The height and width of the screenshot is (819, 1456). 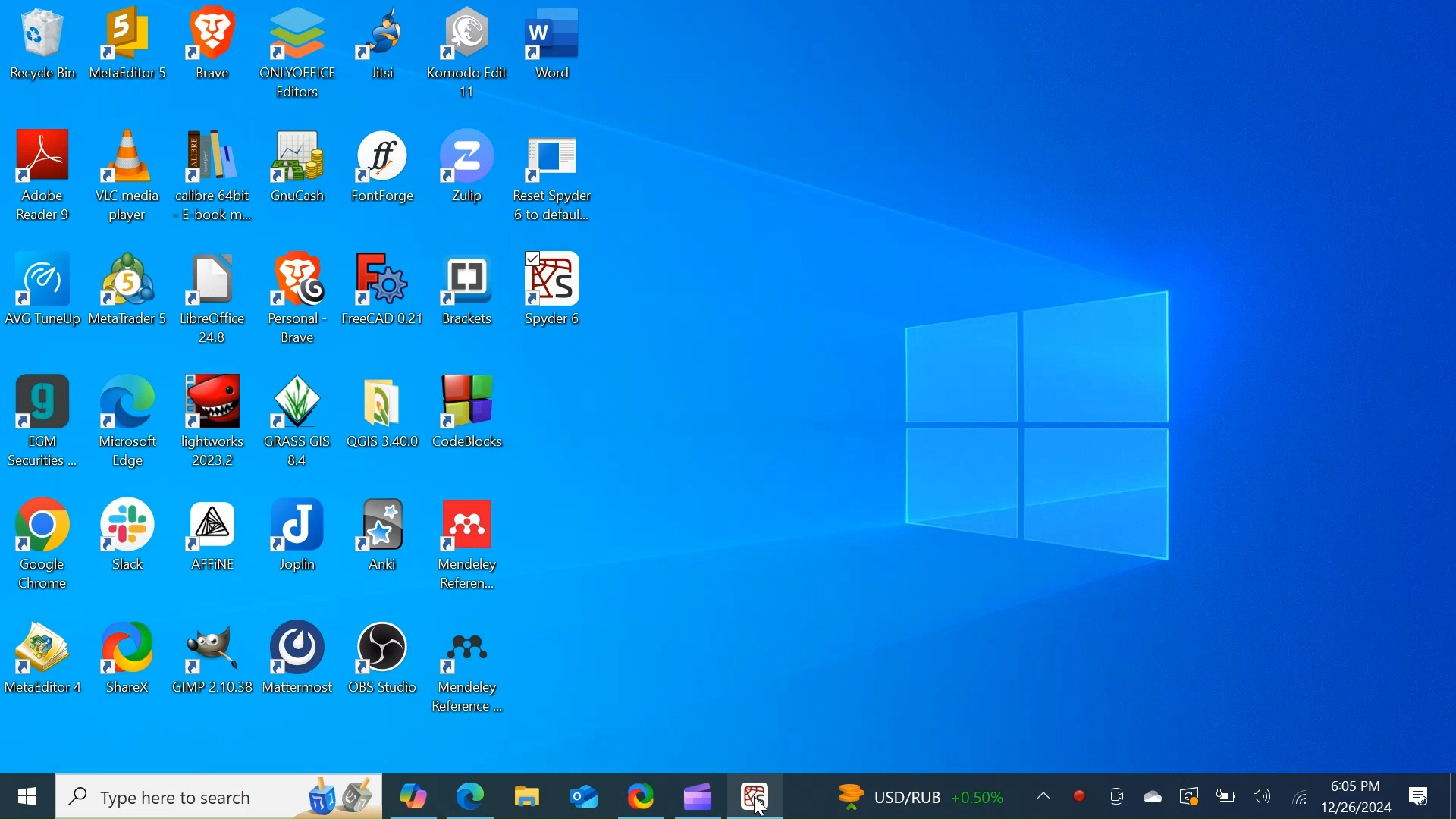 What do you see at coordinates (302, 426) in the screenshot?
I see `Grass Gis Desktop Icon` at bounding box center [302, 426].